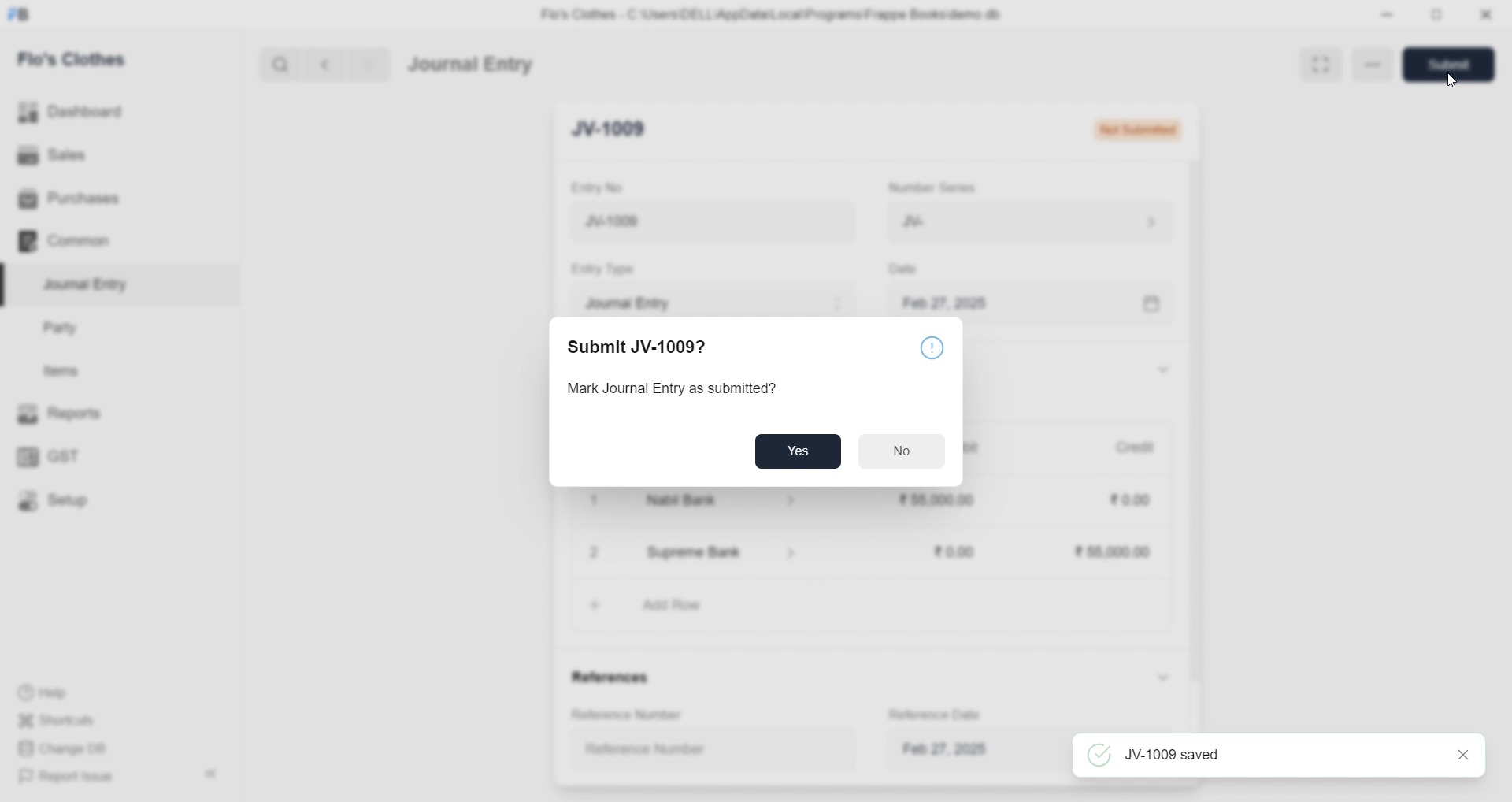  Describe the element at coordinates (638, 345) in the screenshot. I see `Submit JV-1009?` at that location.